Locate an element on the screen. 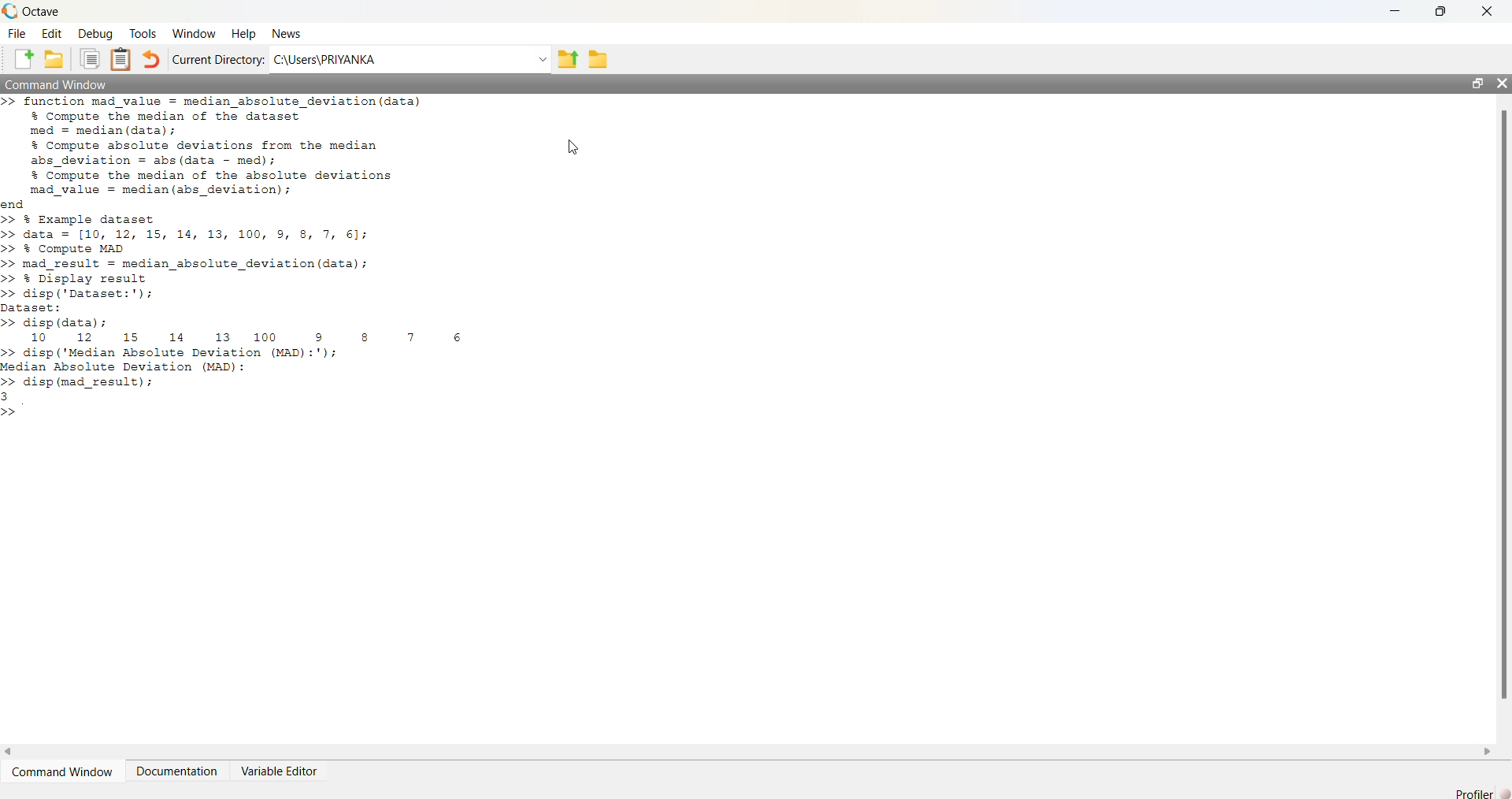 The height and width of the screenshot is (799, 1512). One directory up is located at coordinates (567, 59).